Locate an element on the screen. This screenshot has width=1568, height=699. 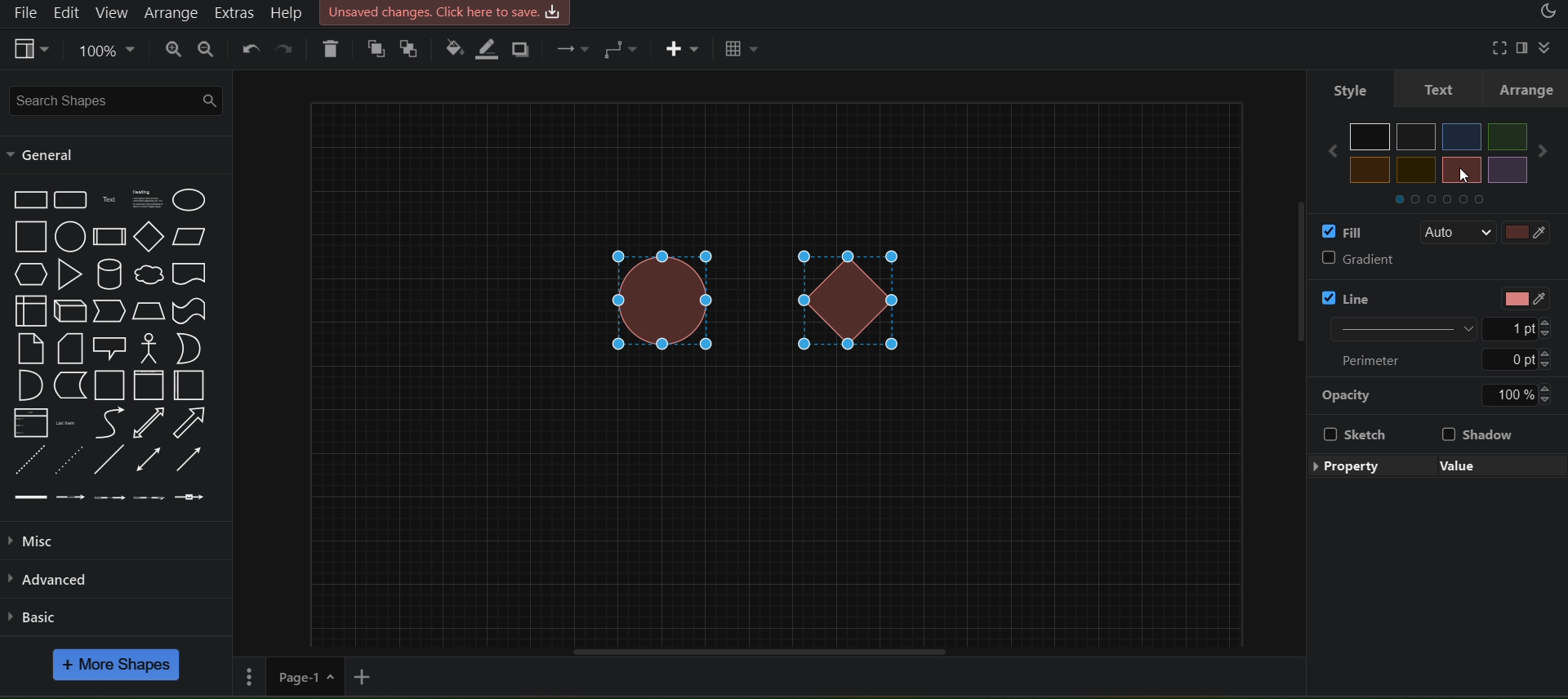
Parallelogram is located at coordinates (198, 237).